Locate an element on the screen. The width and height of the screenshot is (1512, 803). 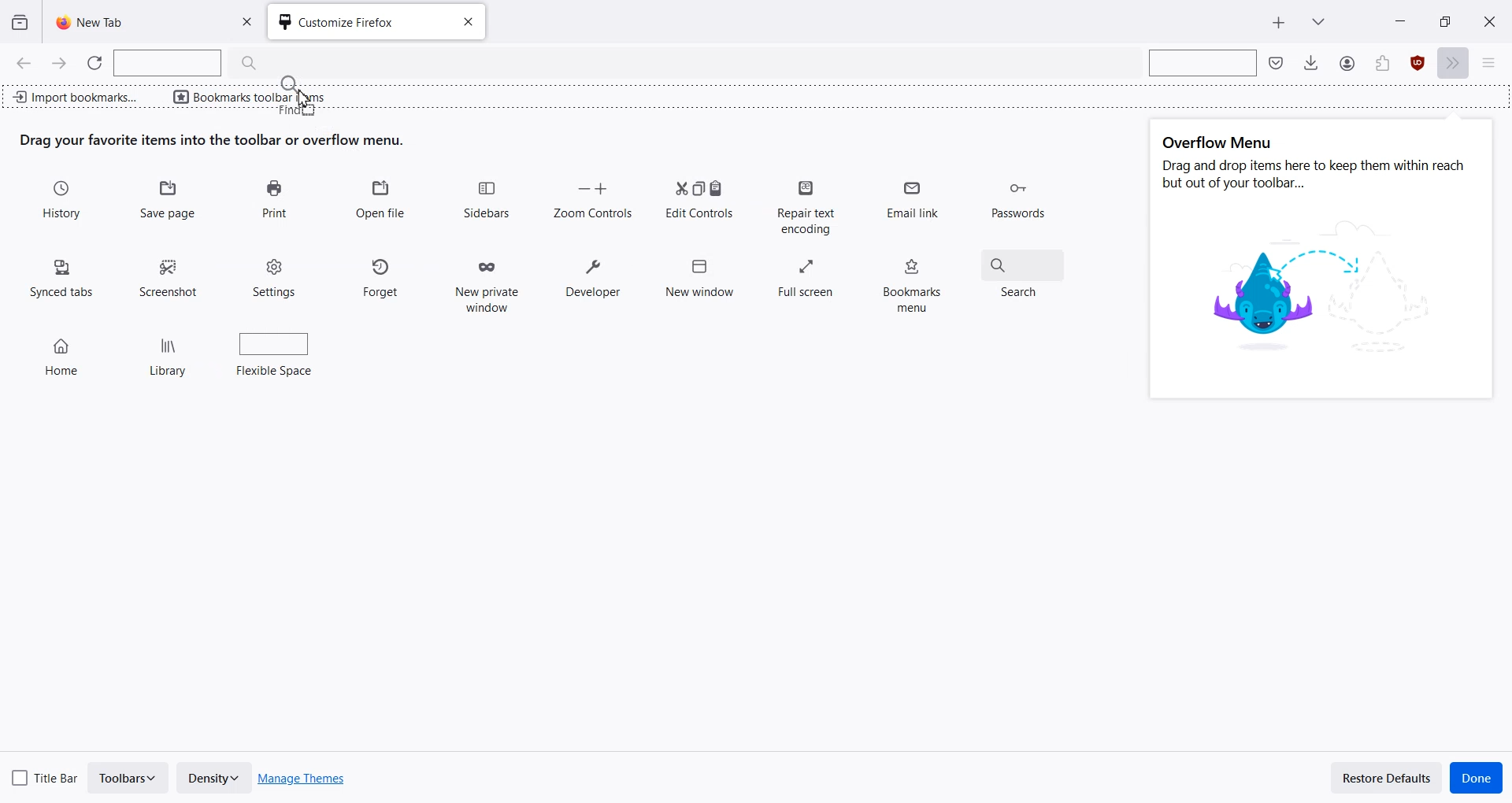
Close is located at coordinates (1489, 20).